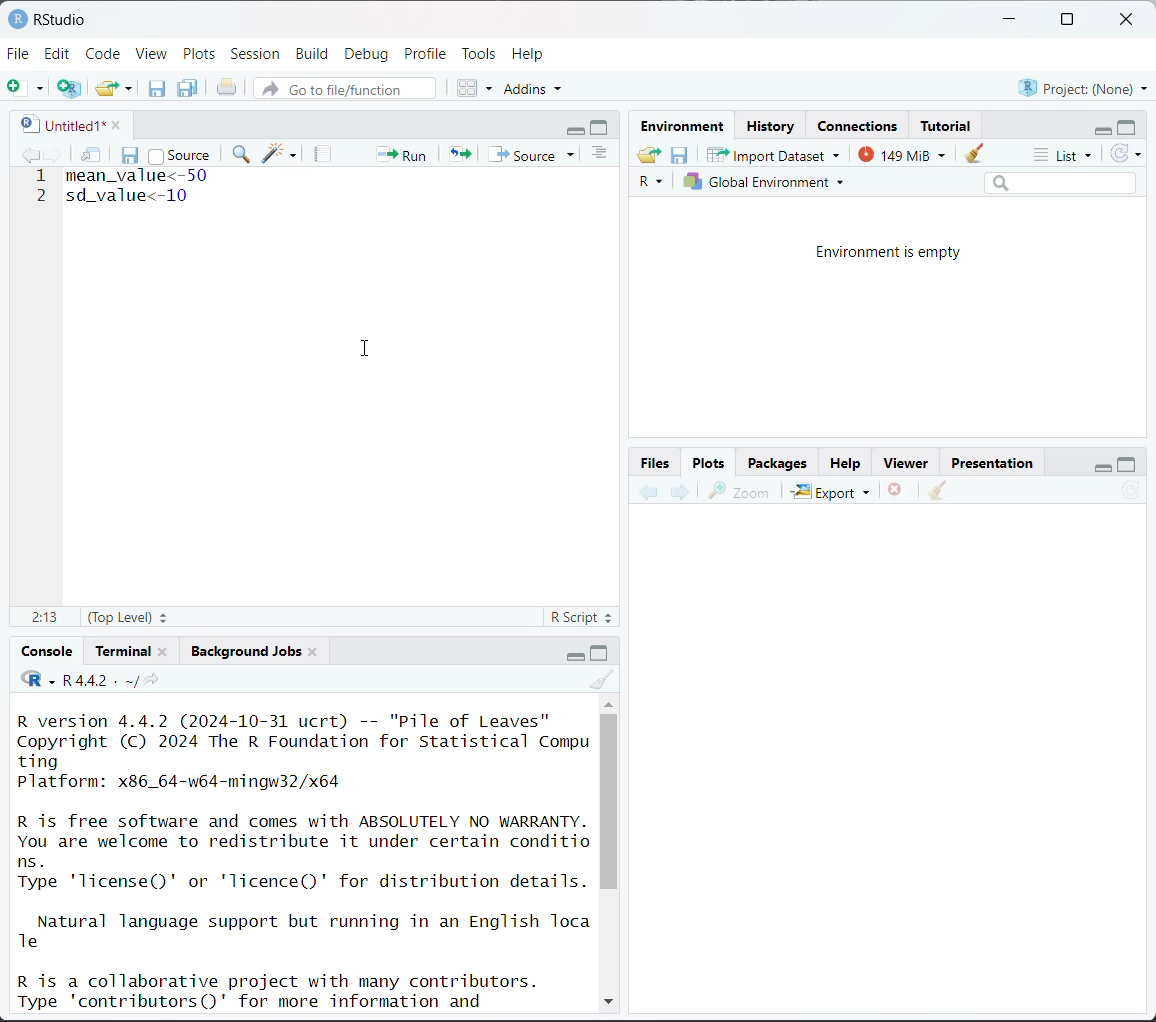  Describe the element at coordinates (428, 52) in the screenshot. I see `Profile` at that location.